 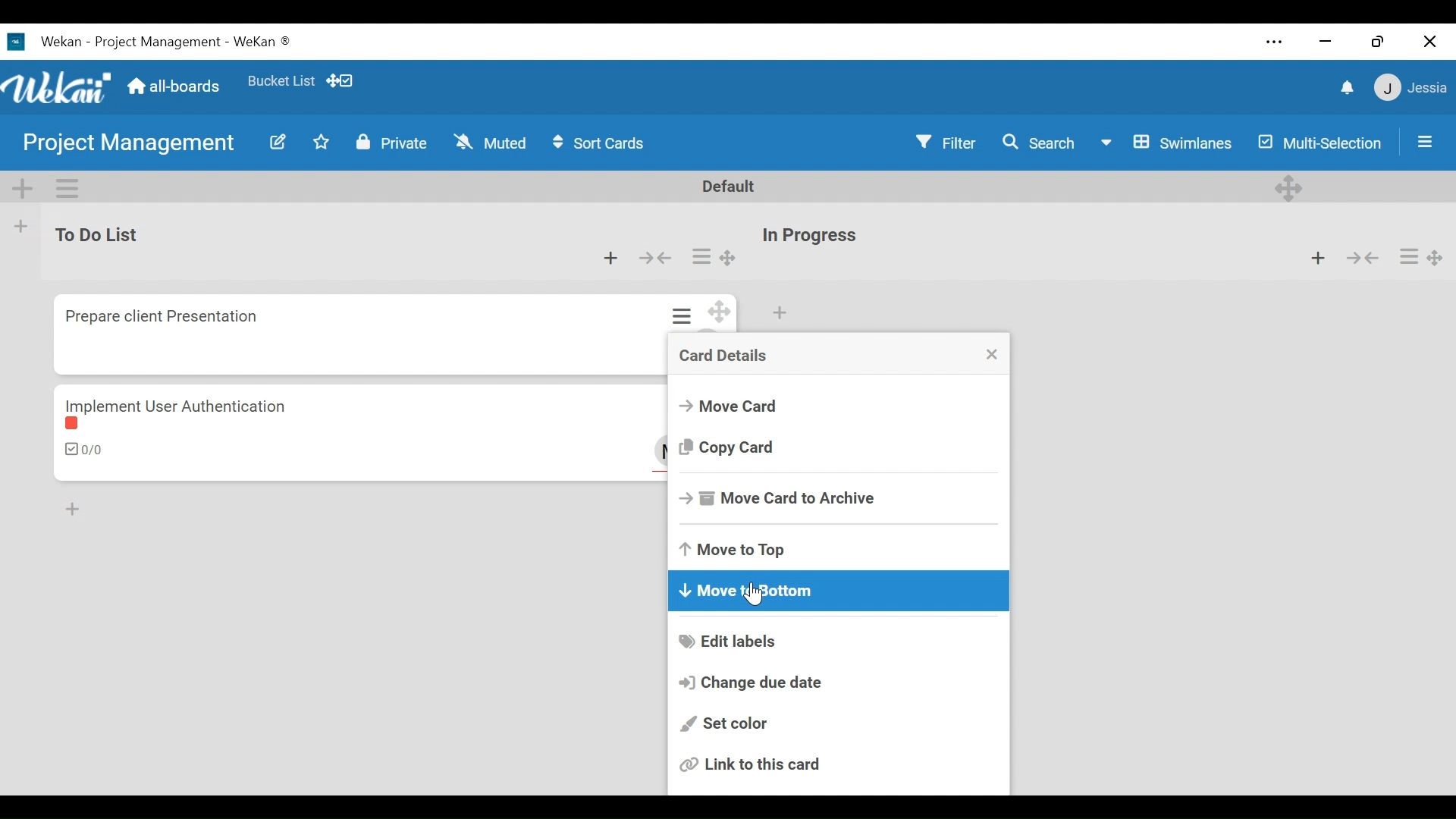 What do you see at coordinates (279, 141) in the screenshot?
I see `Edit` at bounding box center [279, 141].